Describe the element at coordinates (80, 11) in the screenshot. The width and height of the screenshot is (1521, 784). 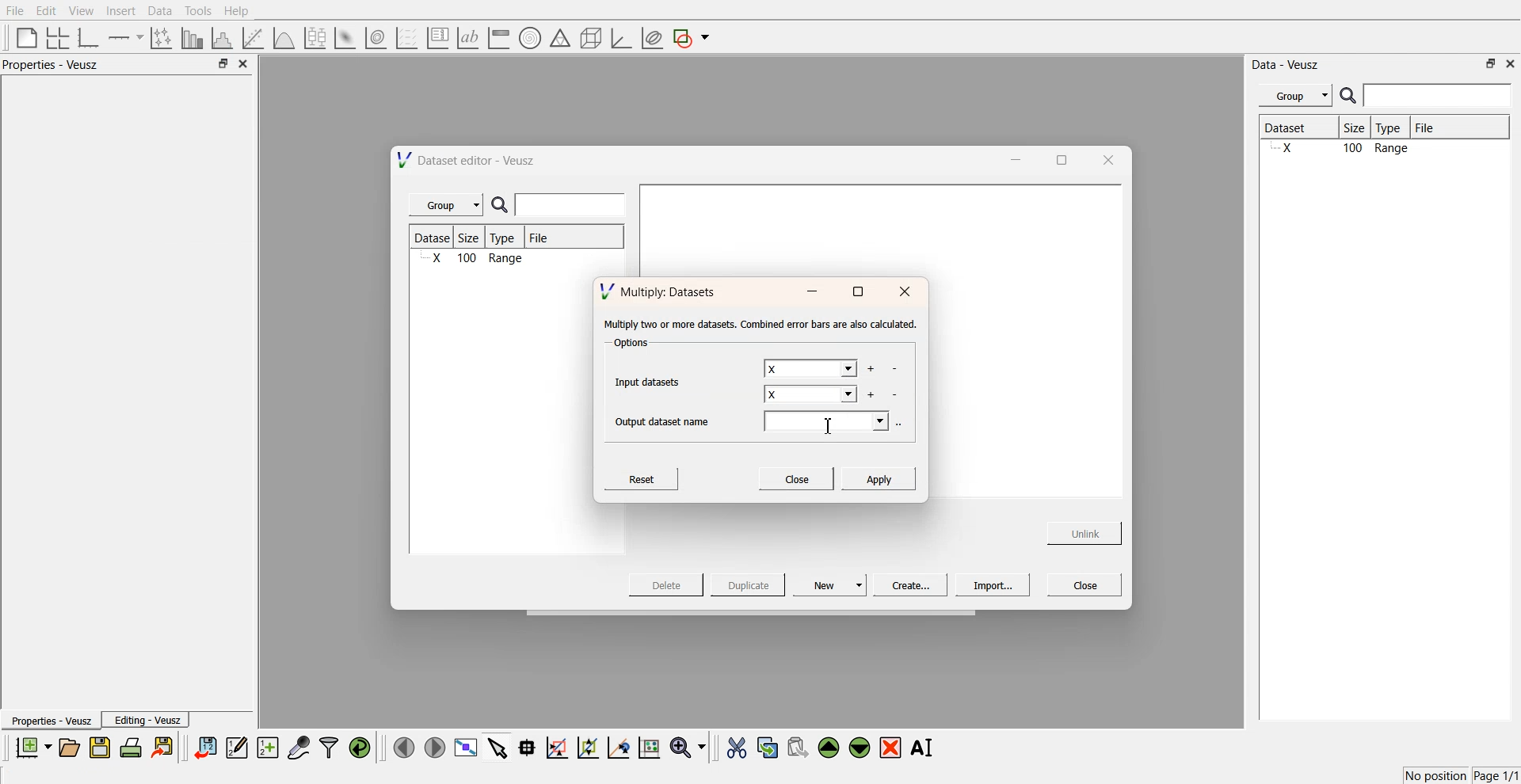
I see `View` at that location.